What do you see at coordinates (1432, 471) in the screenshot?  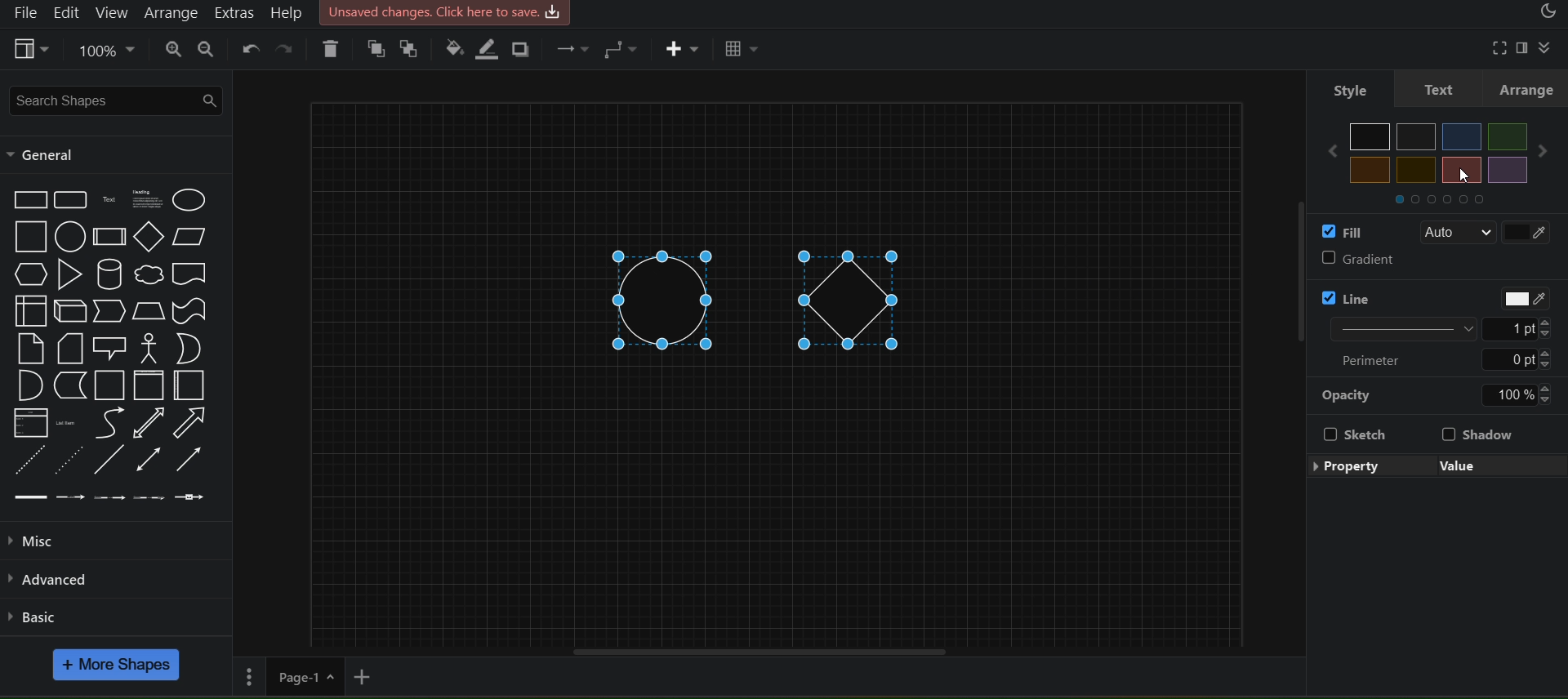 I see `edit` at bounding box center [1432, 471].